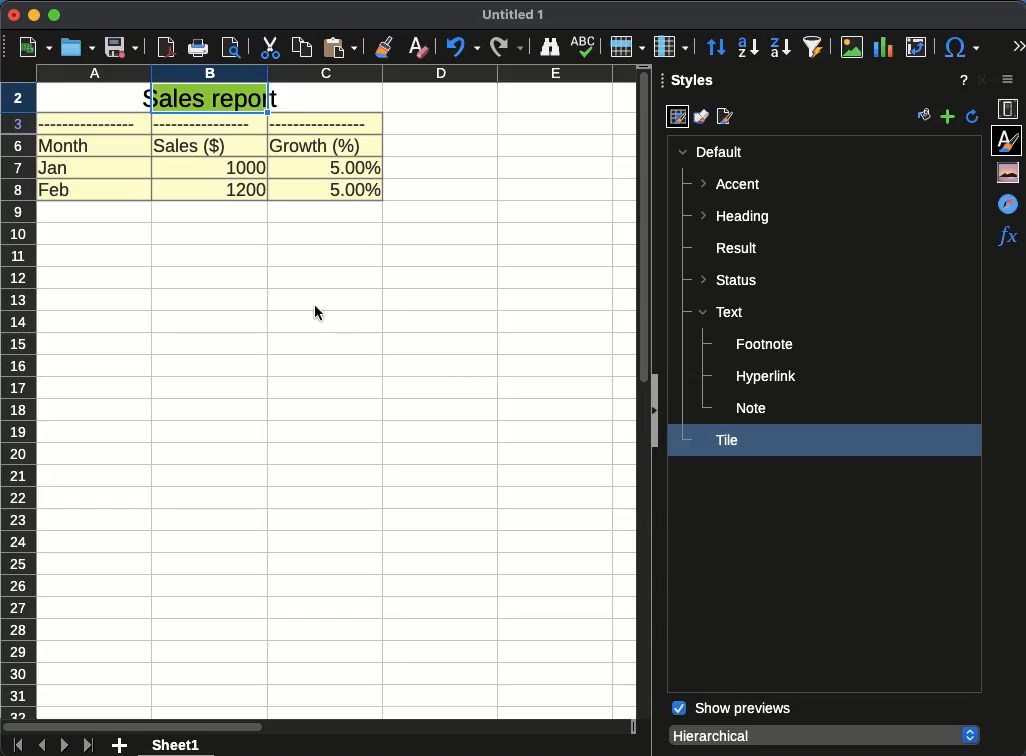  What do you see at coordinates (355, 166) in the screenshot?
I see `5.00%` at bounding box center [355, 166].